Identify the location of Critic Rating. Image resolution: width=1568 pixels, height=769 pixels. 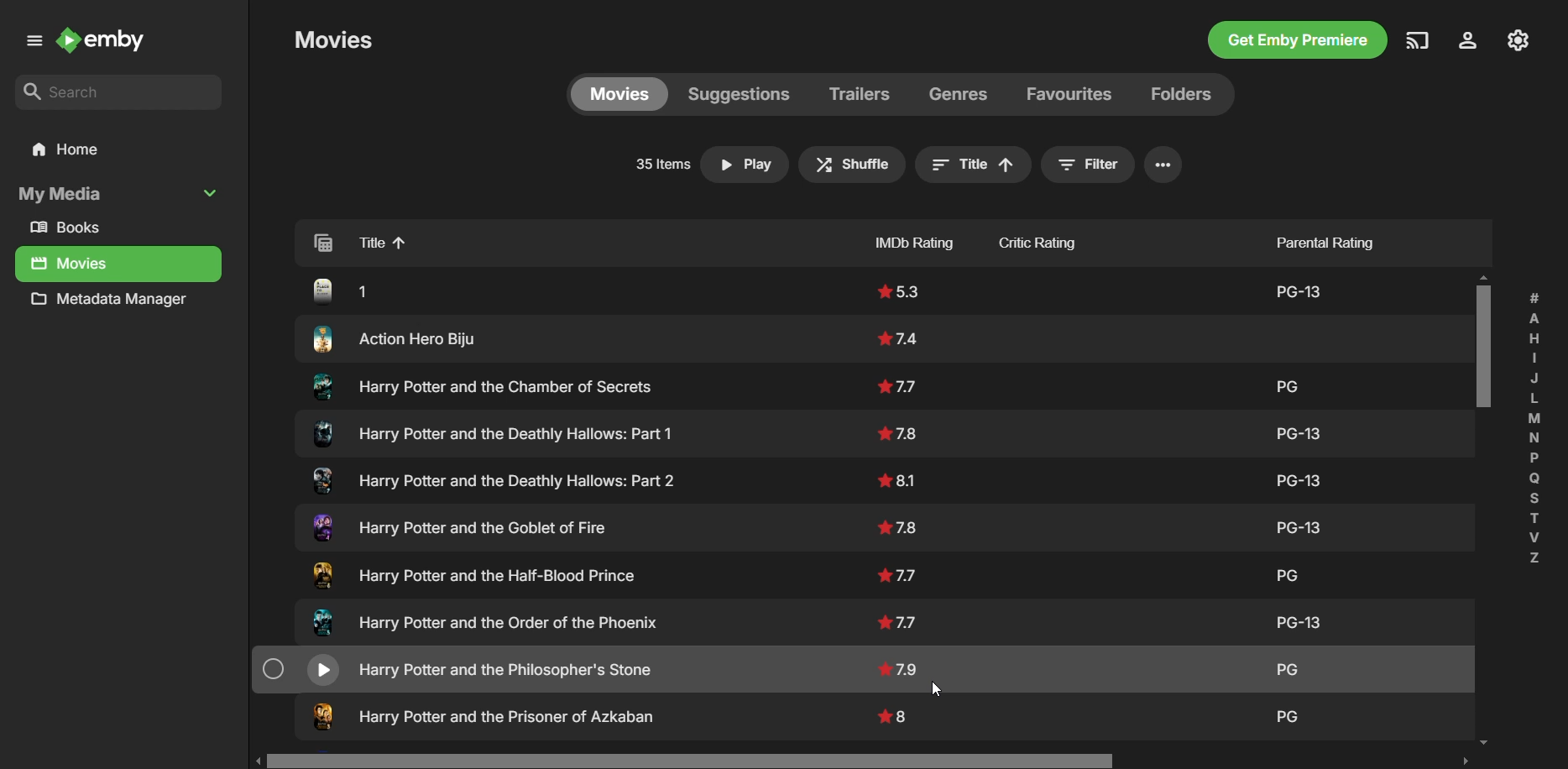
(1068, 239).